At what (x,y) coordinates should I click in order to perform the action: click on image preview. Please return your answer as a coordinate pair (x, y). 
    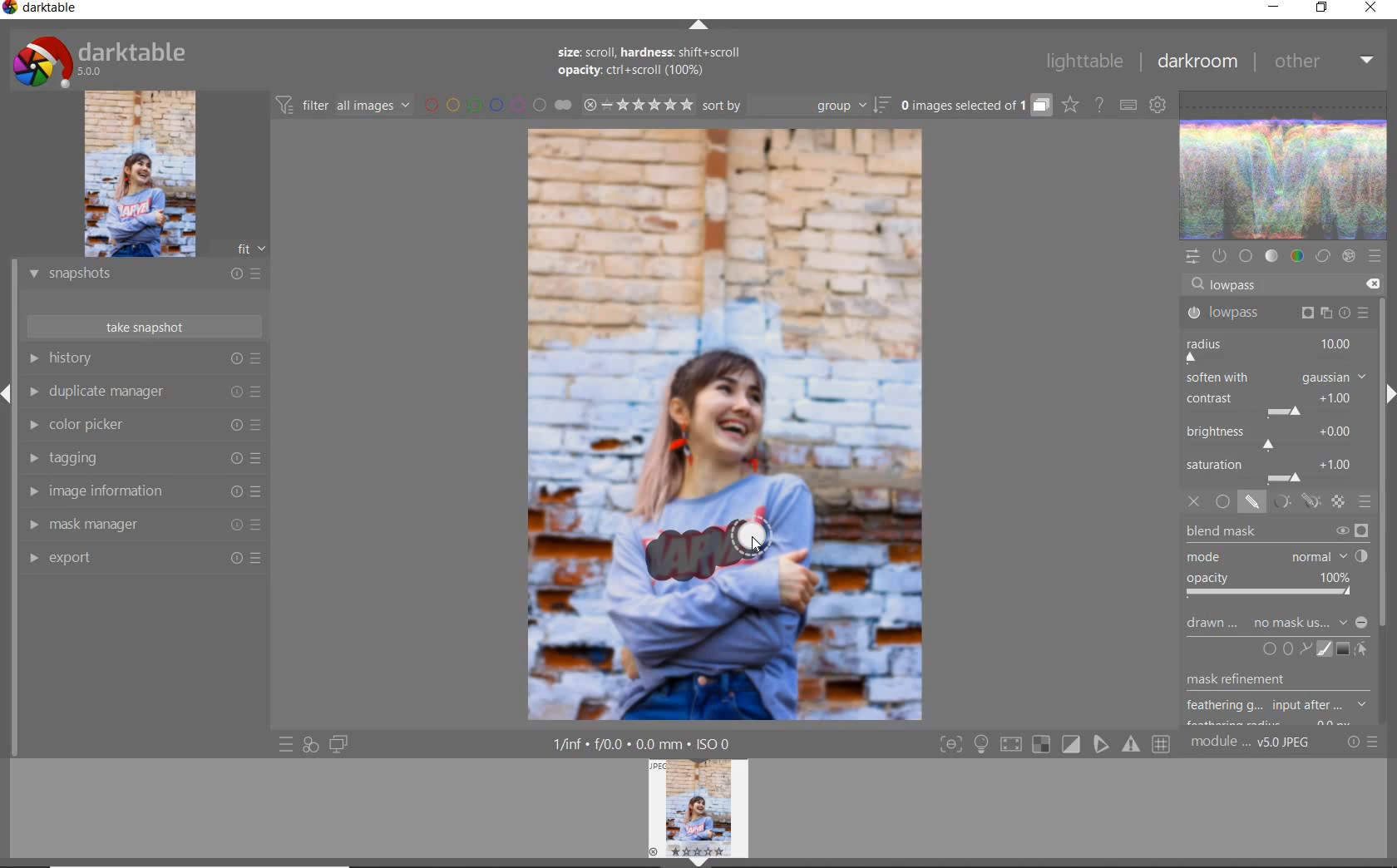
    Looking at the image, I should click on (703, 812).